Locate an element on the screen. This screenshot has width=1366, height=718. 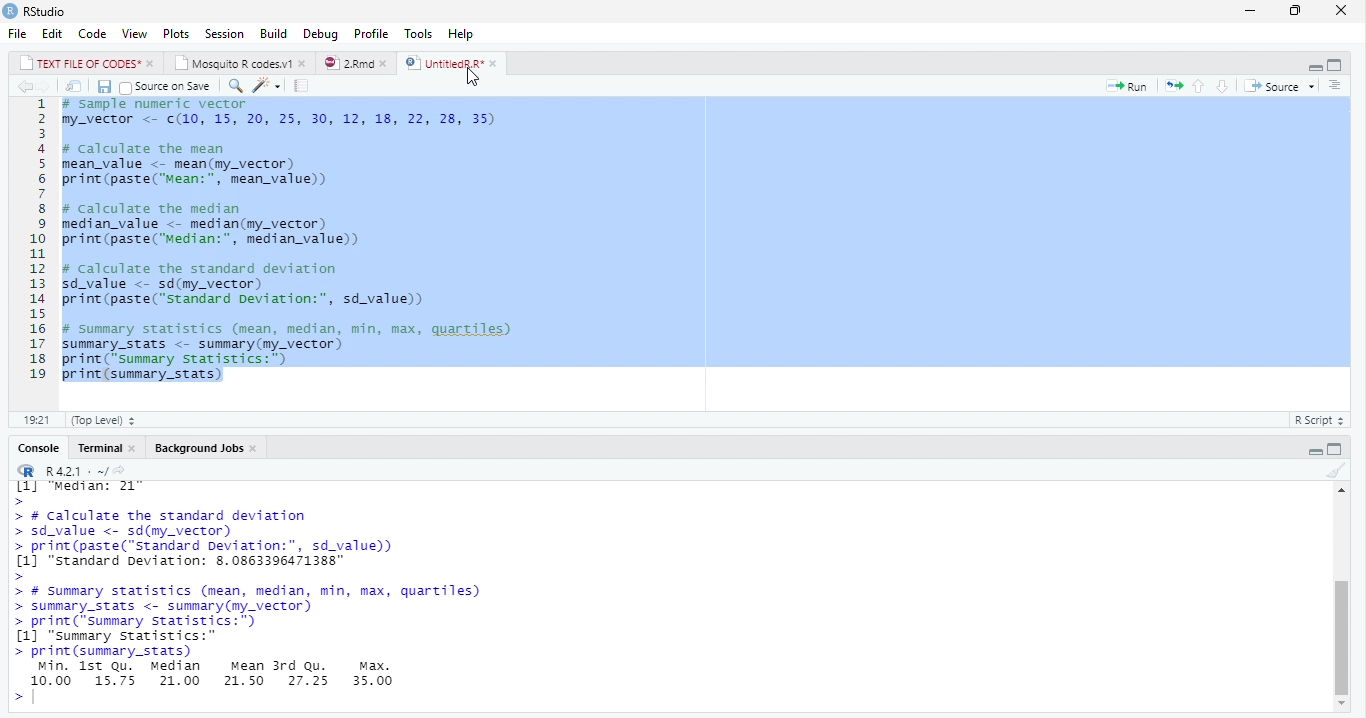
(top level) is located at coordinates (103, 420).